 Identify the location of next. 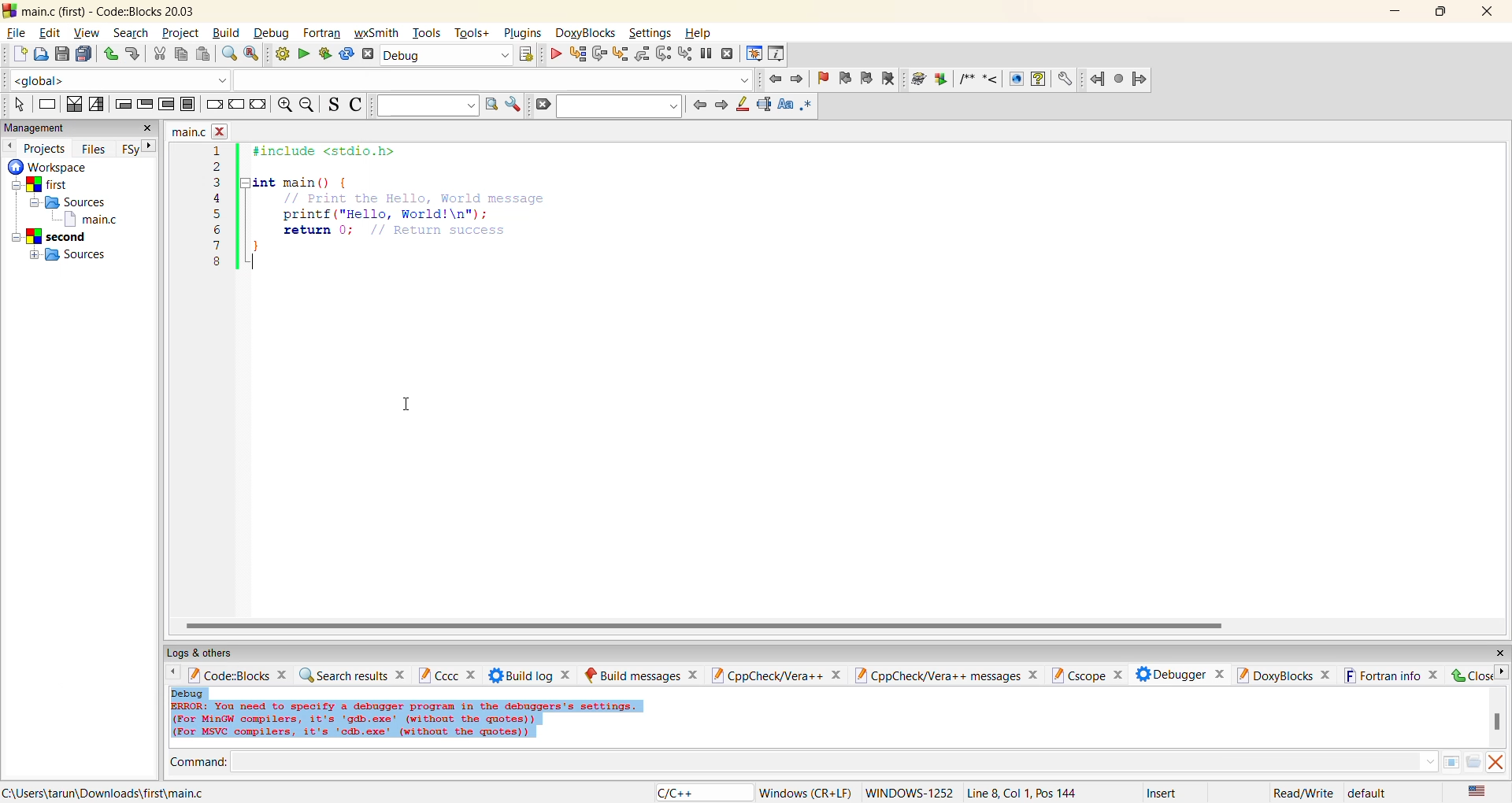
(149, 146).